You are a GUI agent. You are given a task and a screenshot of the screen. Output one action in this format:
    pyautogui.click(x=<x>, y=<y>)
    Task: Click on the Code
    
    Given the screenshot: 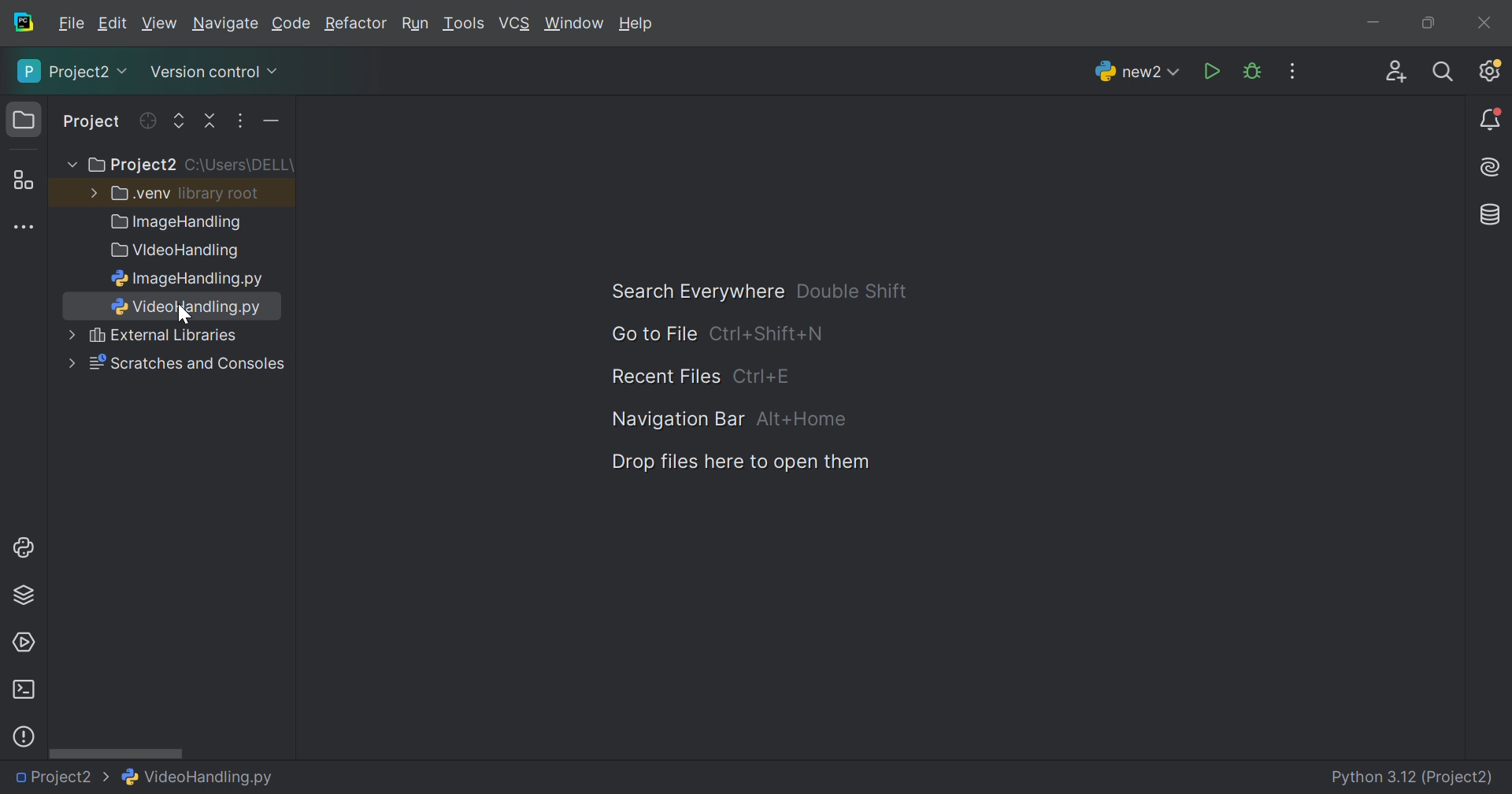 What is the action you would take?
    pyautogui.click(x=294, y=24)
    